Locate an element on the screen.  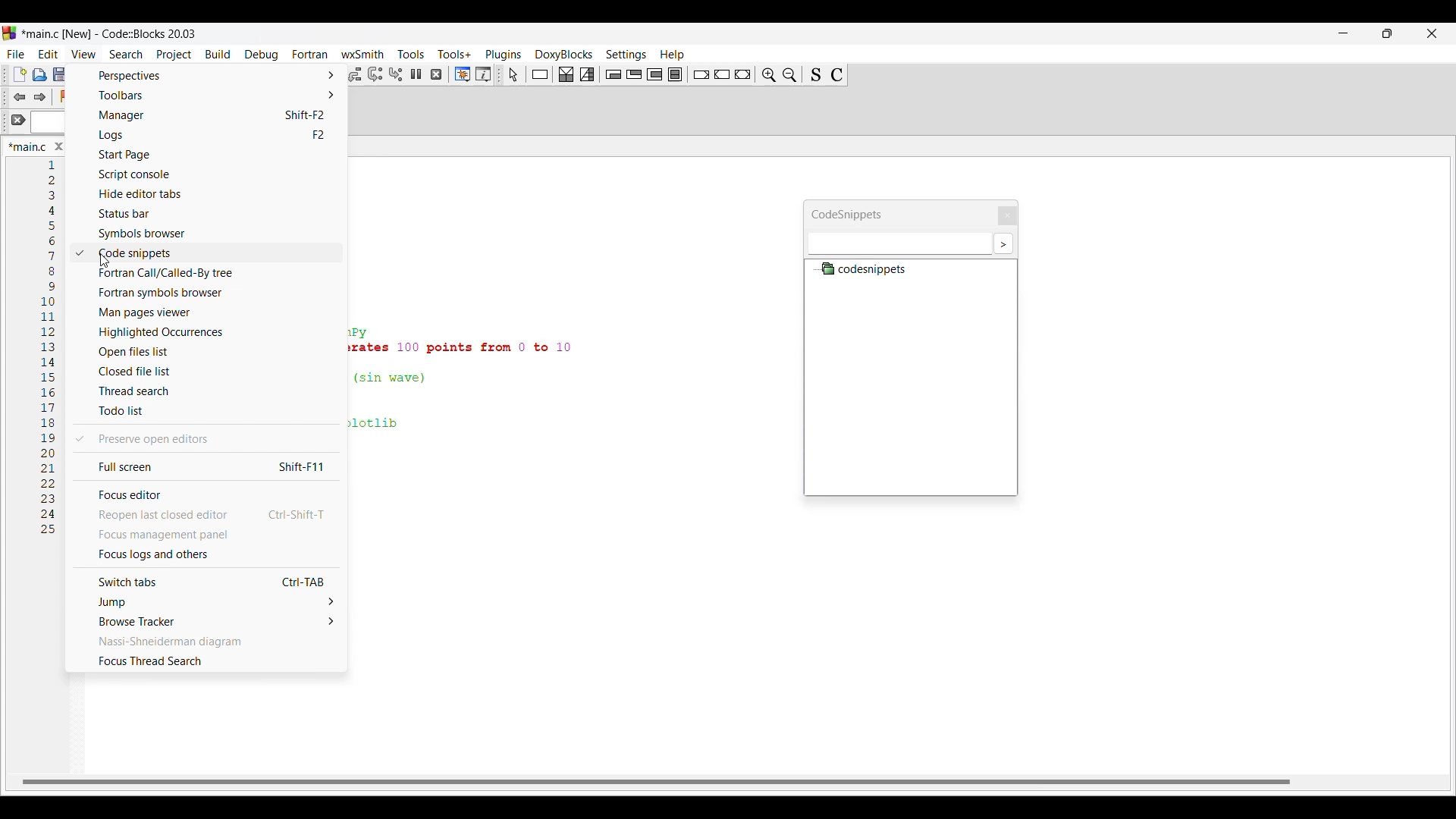
Codesnippets file is located at coordinates (869, 270).